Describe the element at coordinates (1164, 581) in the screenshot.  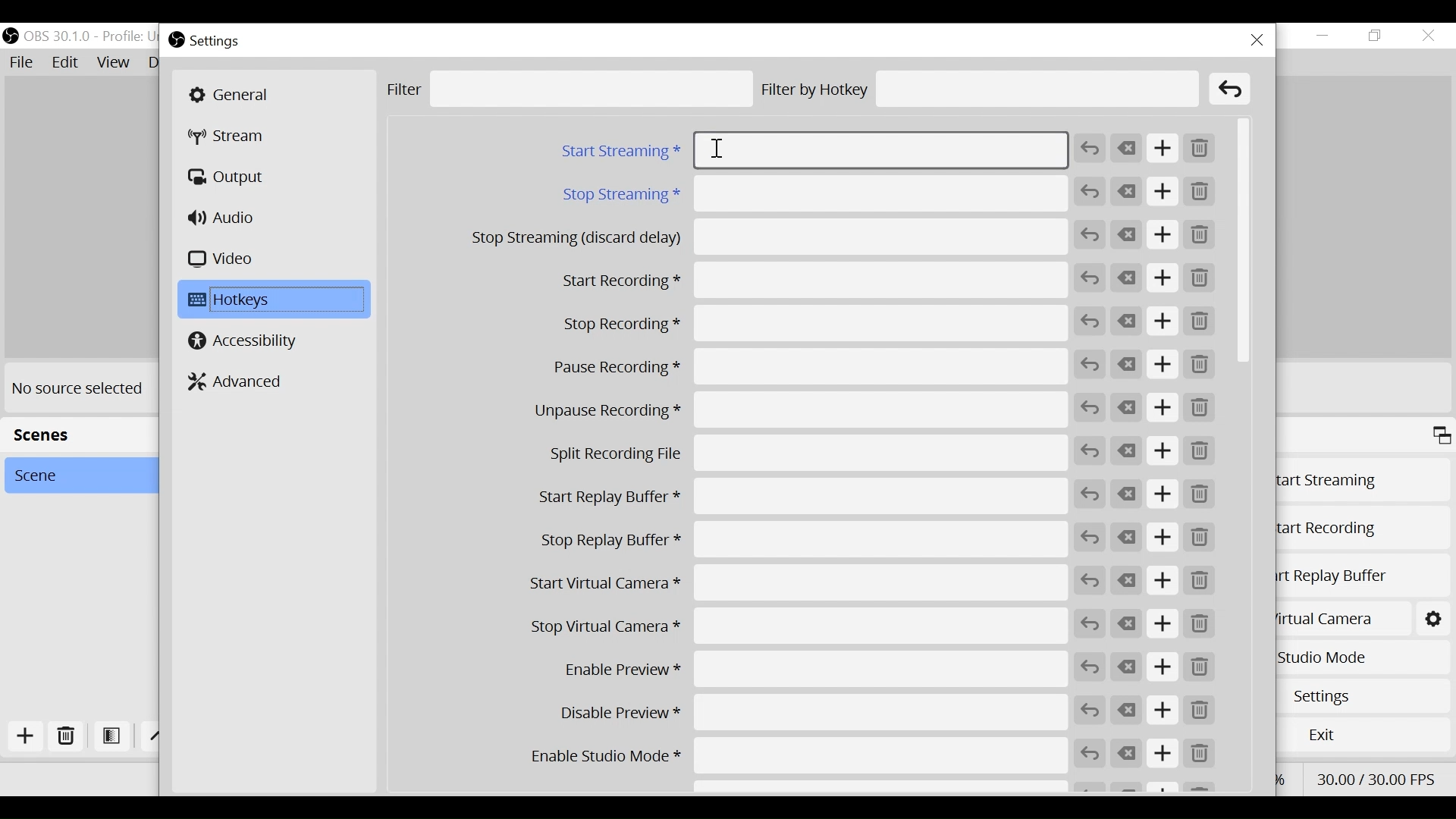
I see `Add` at that location.